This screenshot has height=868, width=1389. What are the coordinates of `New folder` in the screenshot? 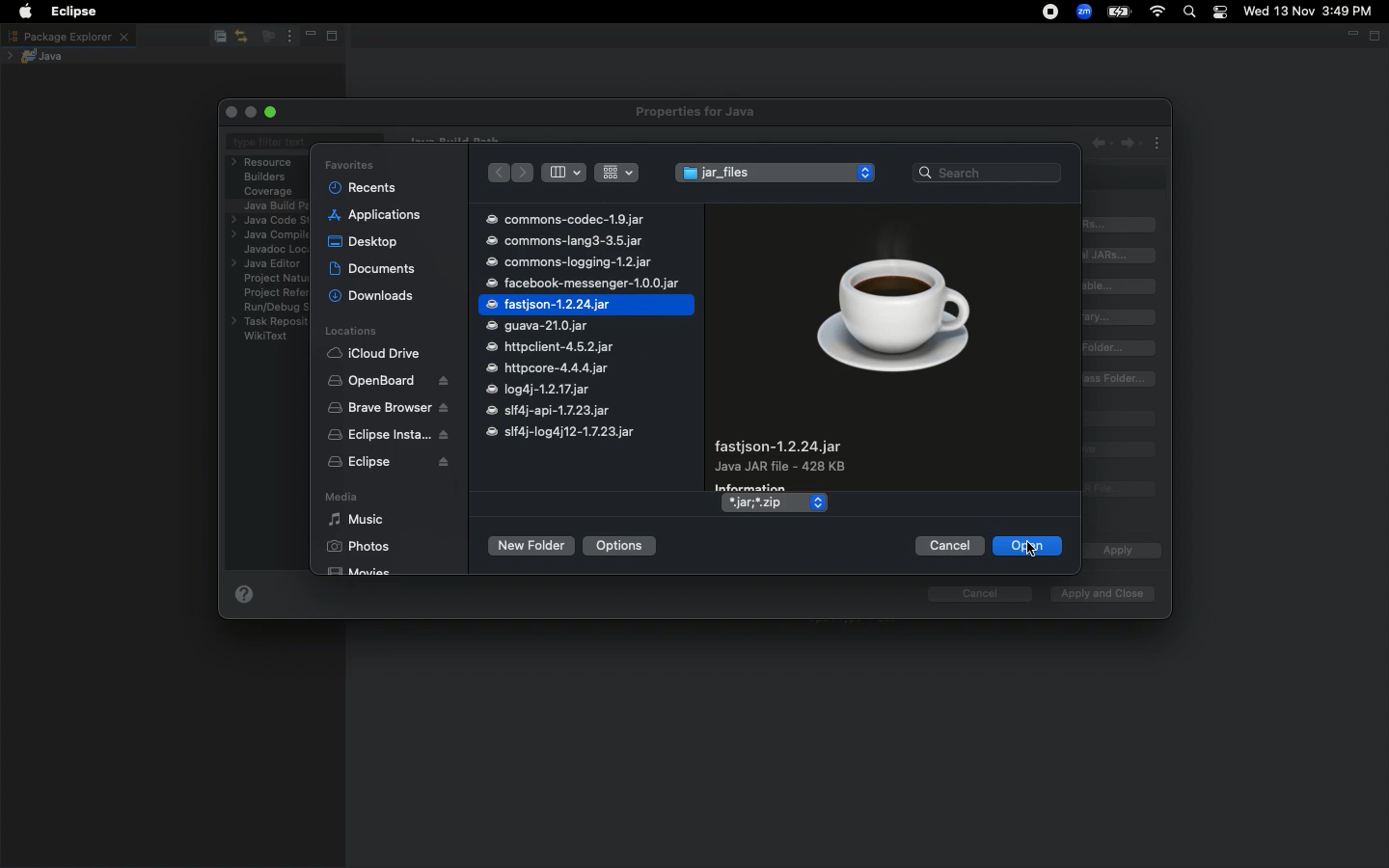 It's located at (530, 546).